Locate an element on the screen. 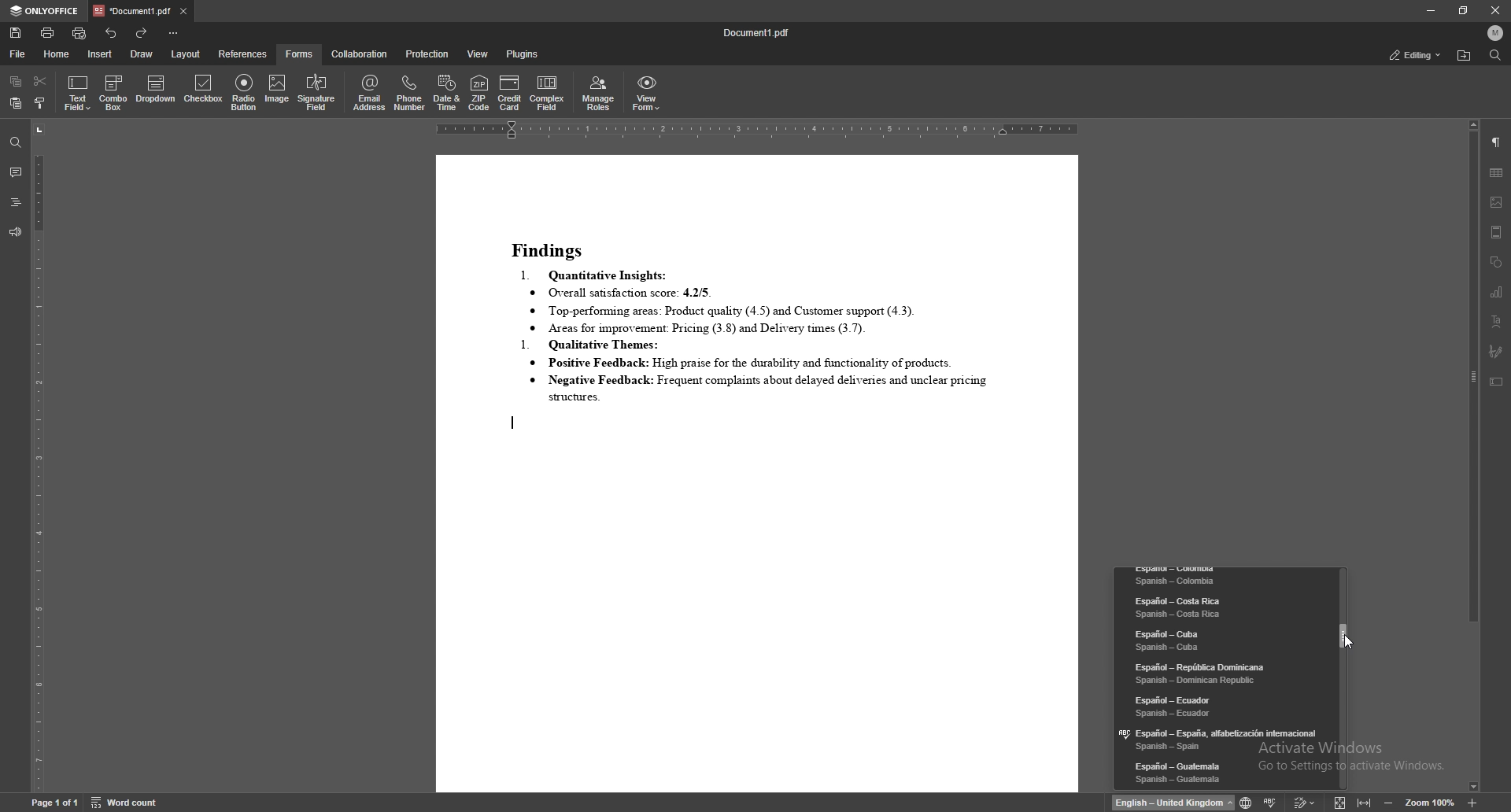 This screenshot has width=1511, height=812. signature field is located at coordinates (316, 94).